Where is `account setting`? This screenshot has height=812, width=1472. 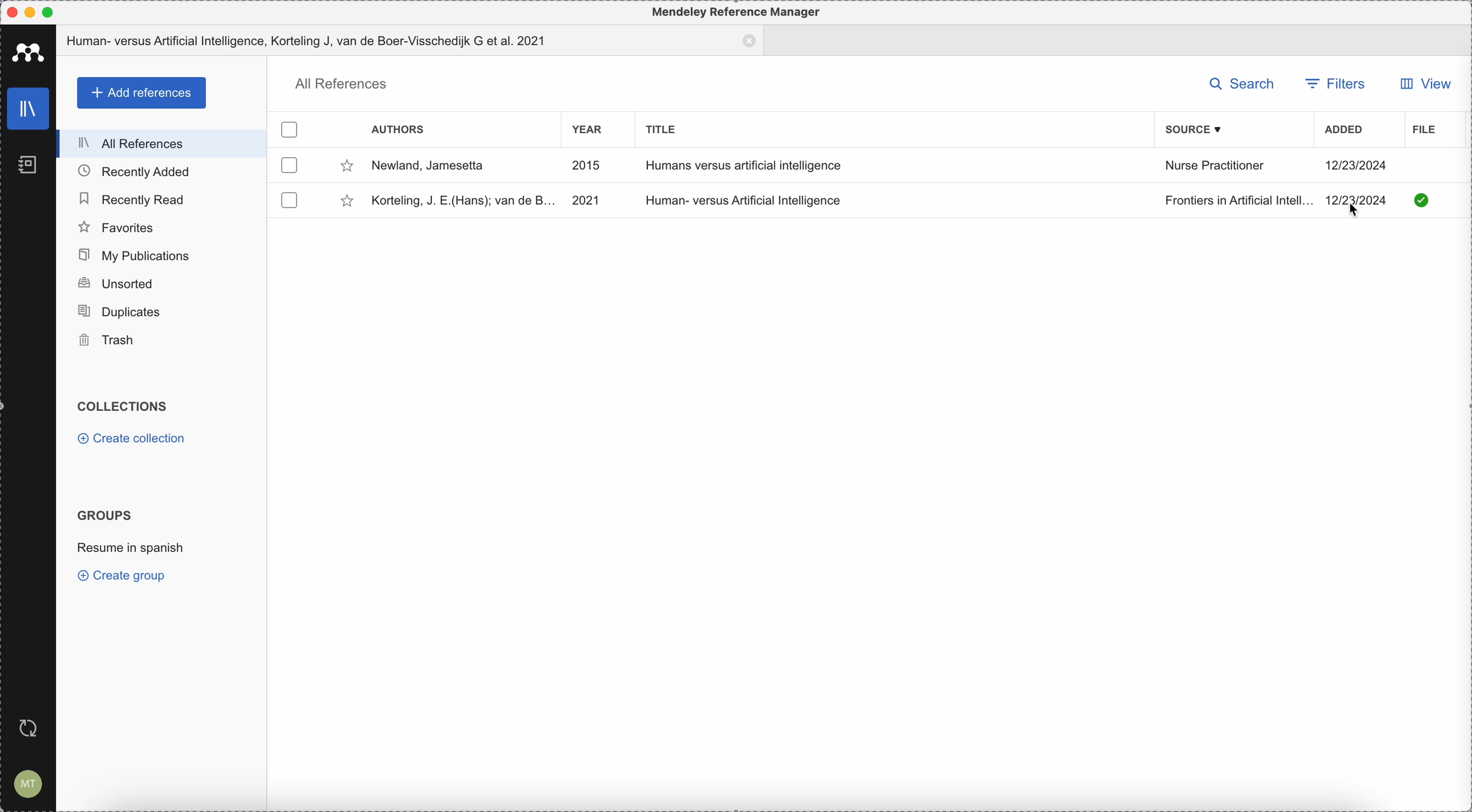 account setting is located at coordinates (29, 783).